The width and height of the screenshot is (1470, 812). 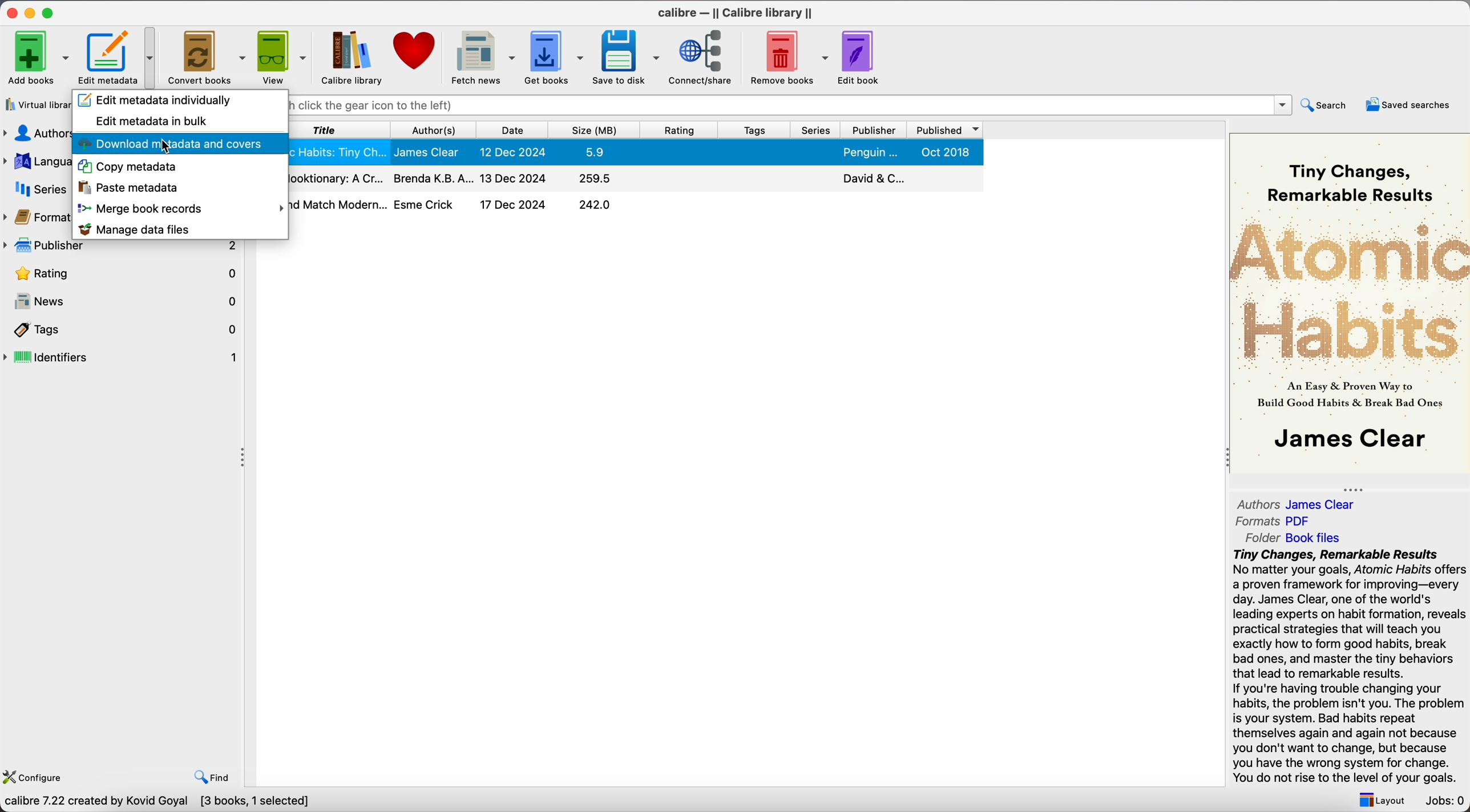 I want to click on 12 Dec 2024, so click(x=512, y=151).